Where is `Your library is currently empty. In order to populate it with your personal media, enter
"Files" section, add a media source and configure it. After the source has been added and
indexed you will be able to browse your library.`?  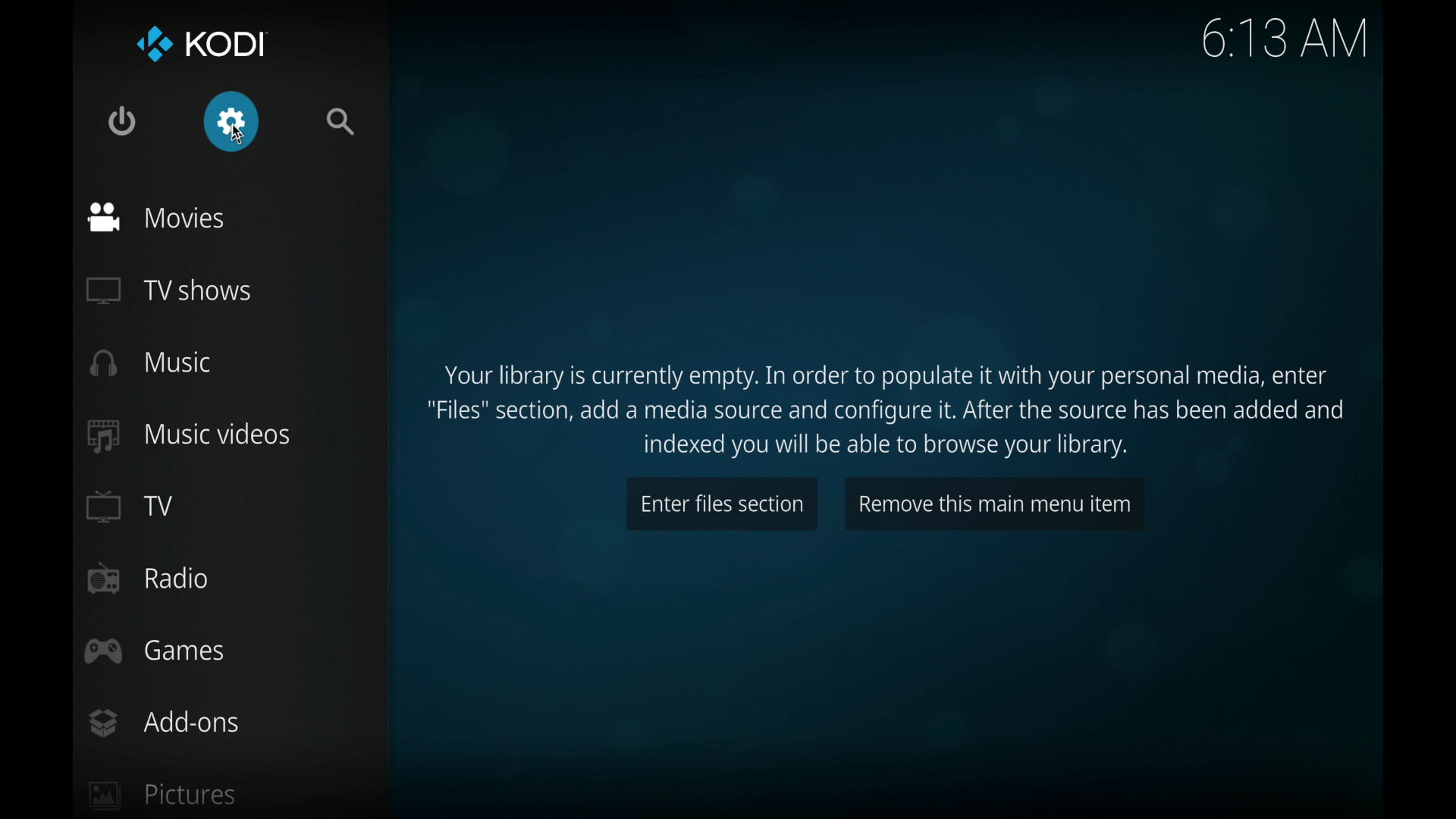 Your library is currently empty. In order to populate it with your personal media, enter
"Files" section, add a media source and configure it. After the source has been added and
indexed you will be able to browse your library. is located at coordinates (888, 409).